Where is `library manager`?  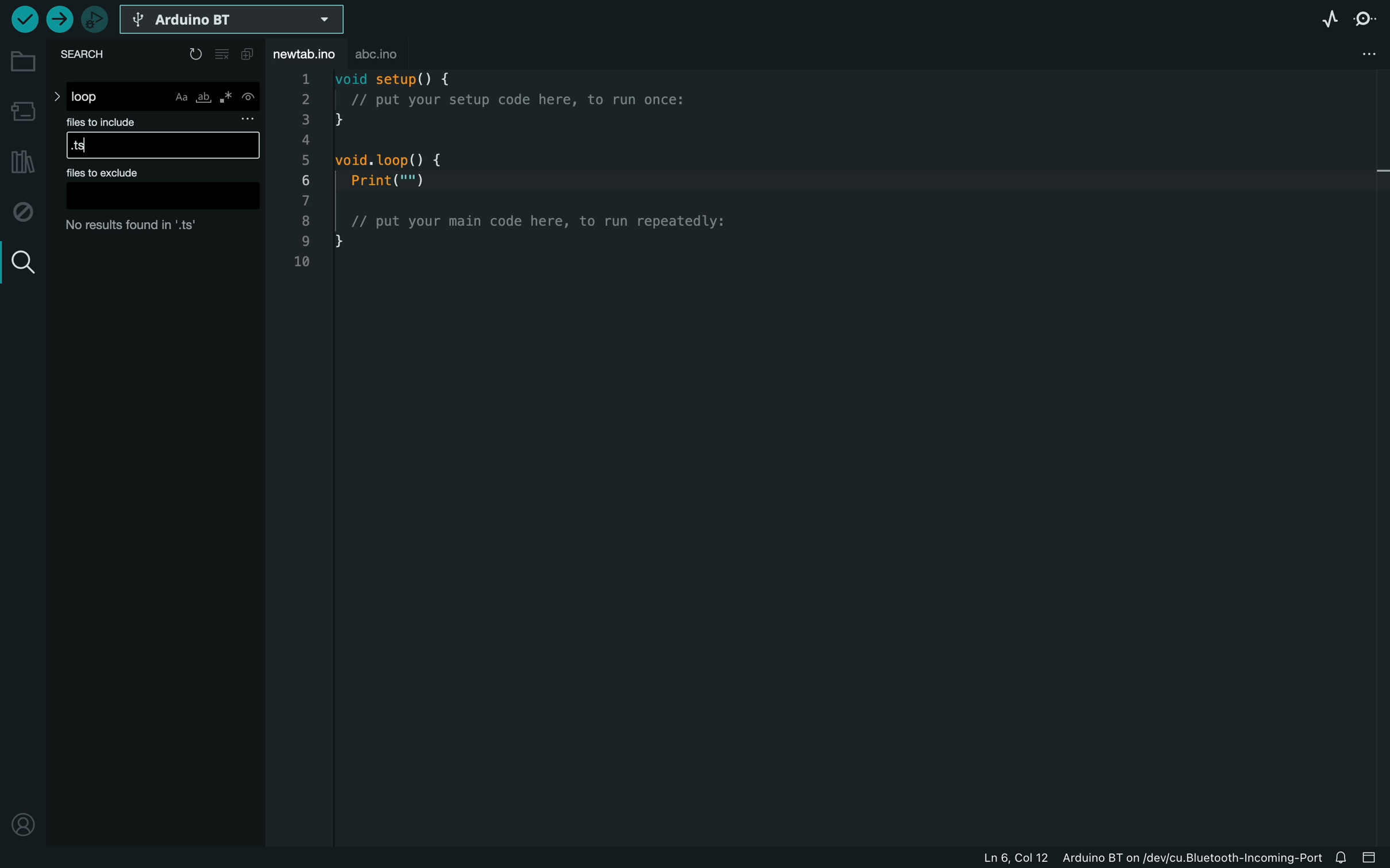 library manager is located at coordinates (20, 164).